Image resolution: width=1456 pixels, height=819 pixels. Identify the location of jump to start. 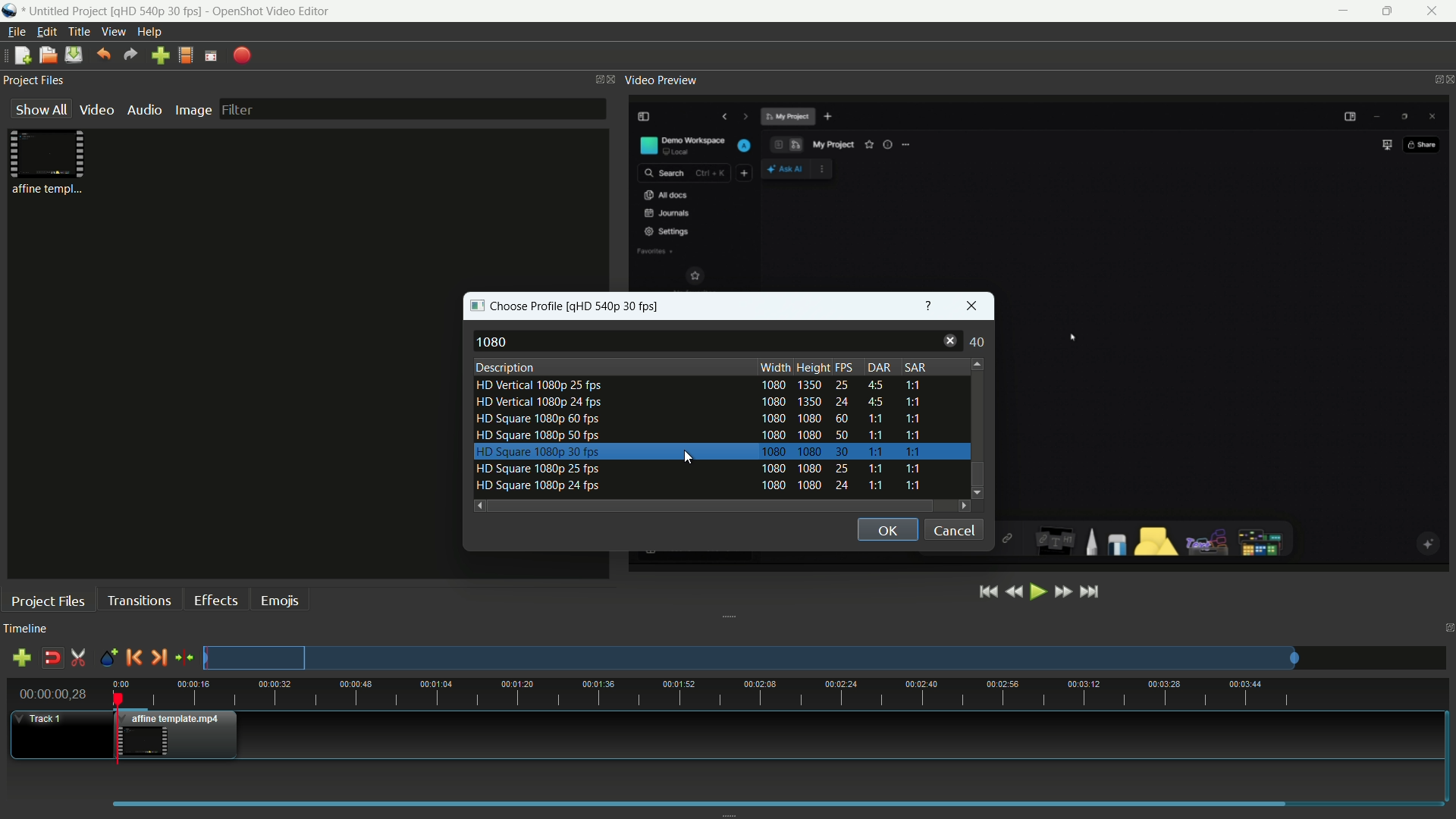
(990, 592).